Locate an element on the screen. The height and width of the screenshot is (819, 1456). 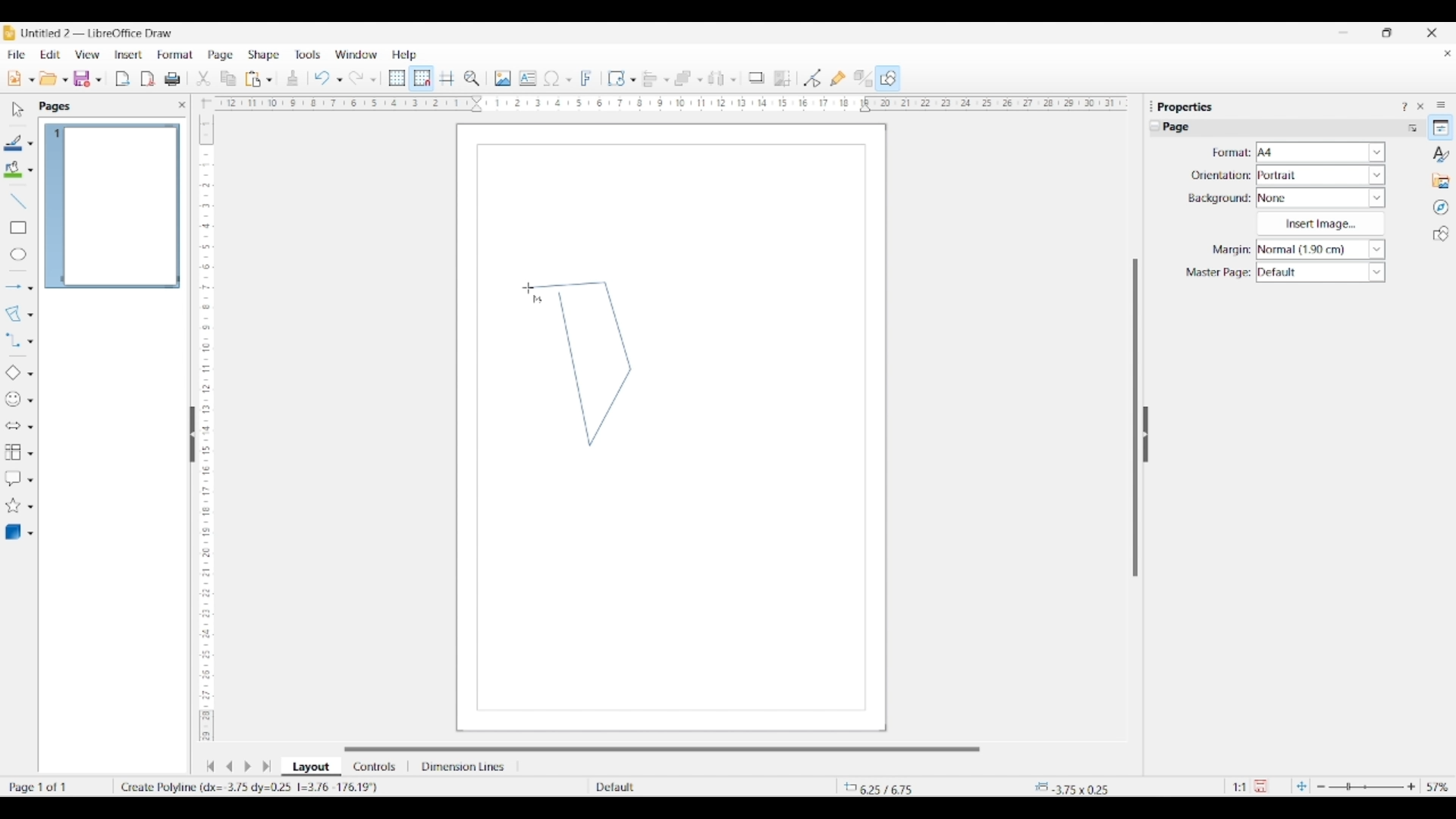
Indicates orientation settings is located at coordinates (1221, 175).